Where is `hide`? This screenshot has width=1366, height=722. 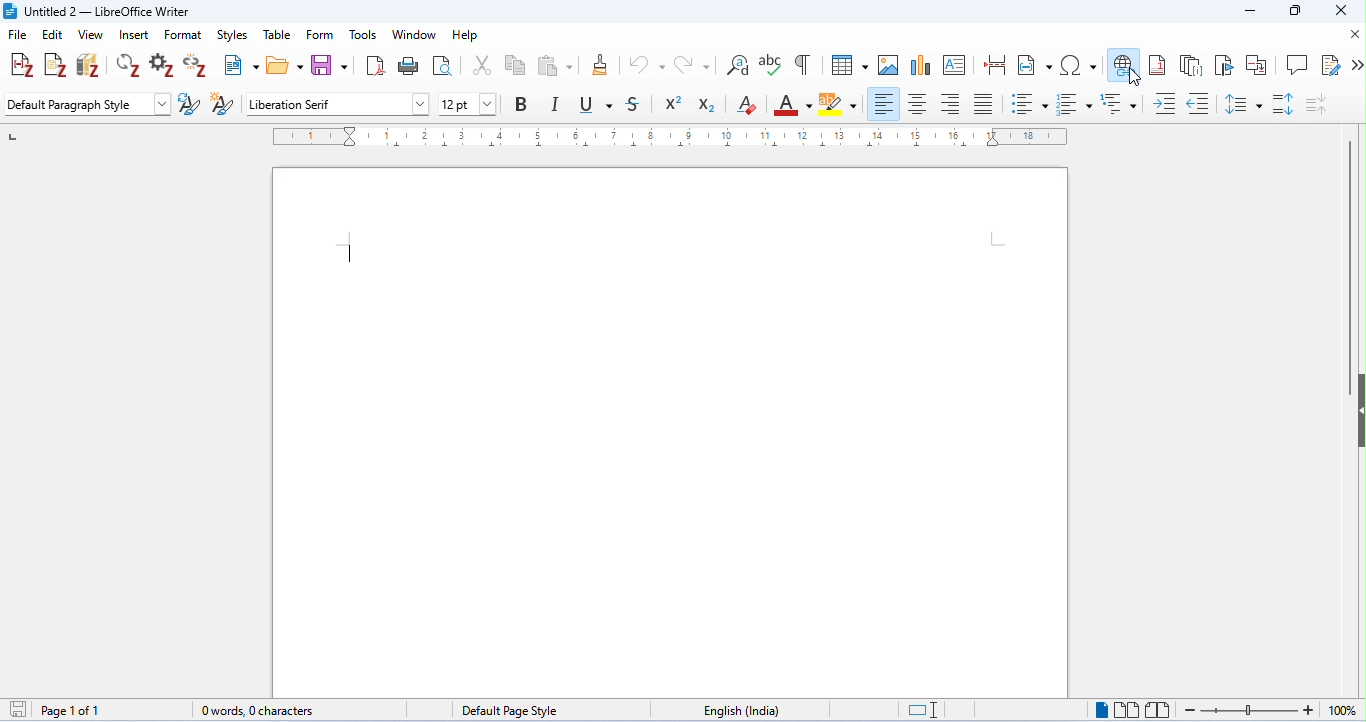 hide is located at coordinates (1357, 413).